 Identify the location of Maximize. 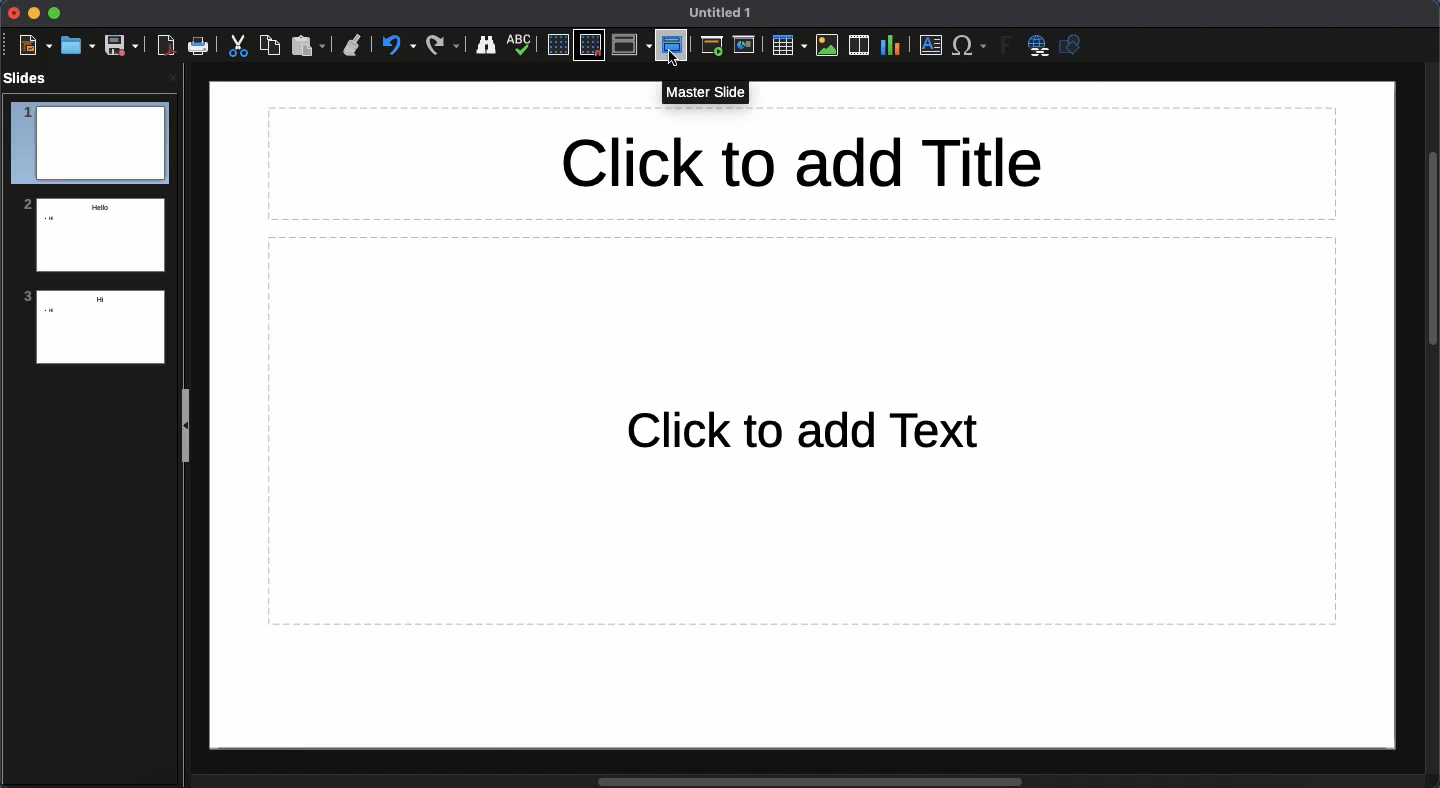
(54, 14).